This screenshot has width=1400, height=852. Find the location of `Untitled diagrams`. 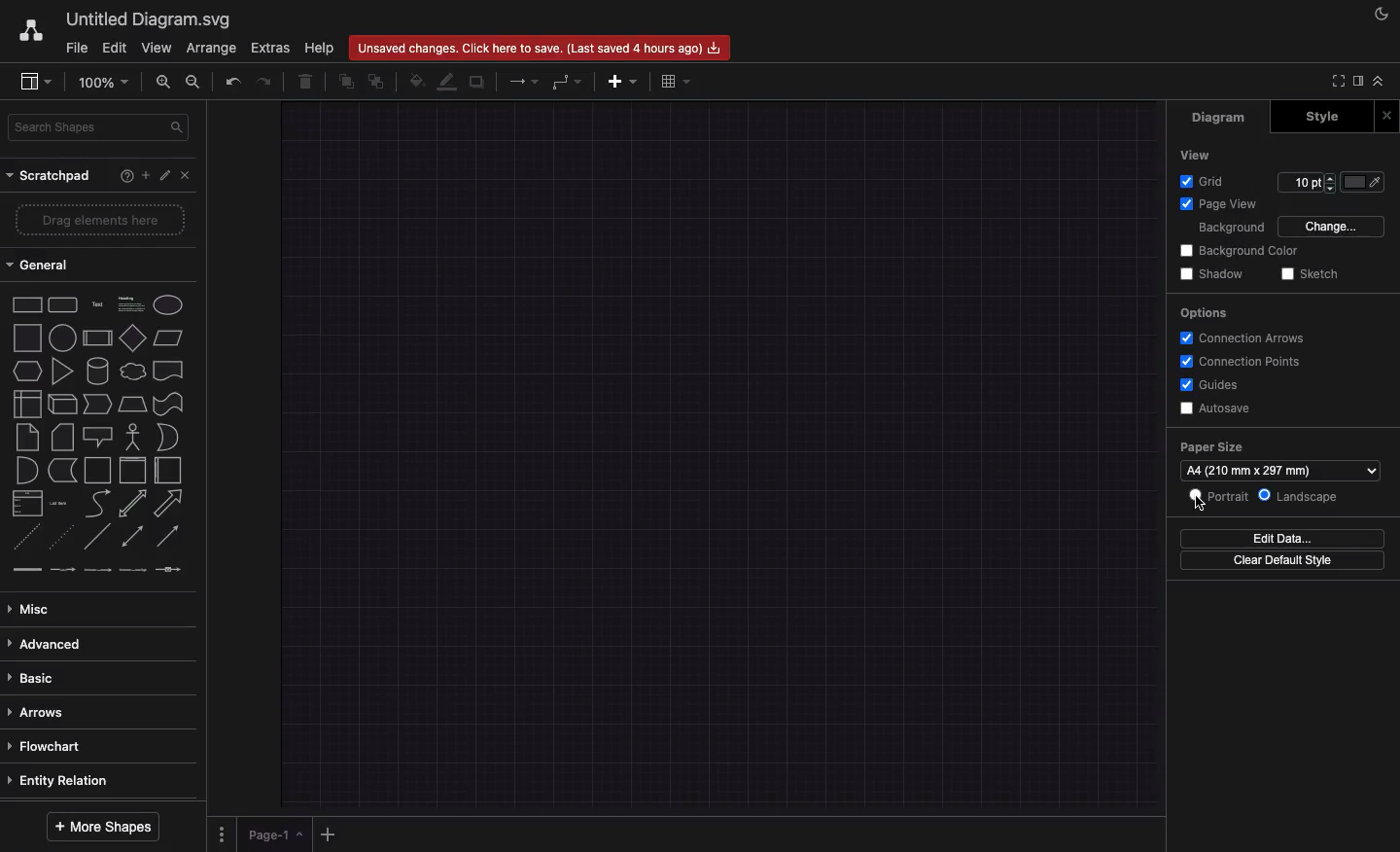

Untitled diagrams is located at coordinates (146, 22).